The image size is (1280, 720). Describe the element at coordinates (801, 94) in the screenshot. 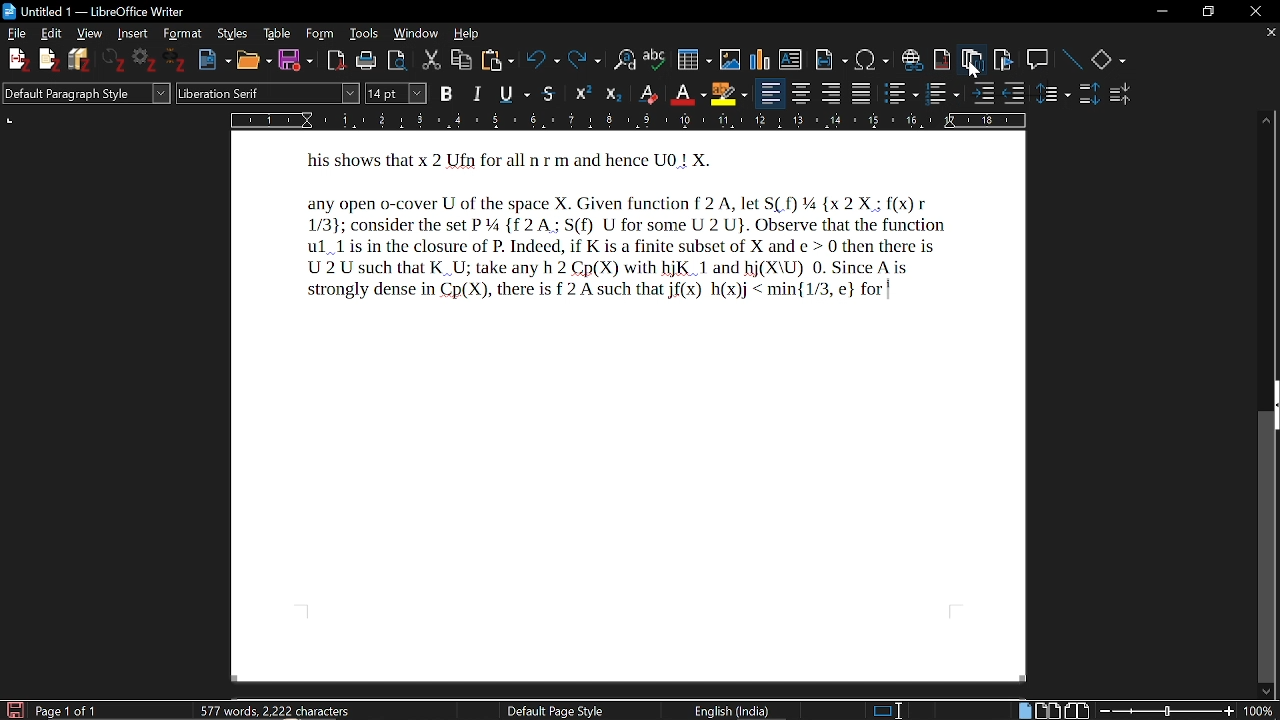

I see `Center` at that location.